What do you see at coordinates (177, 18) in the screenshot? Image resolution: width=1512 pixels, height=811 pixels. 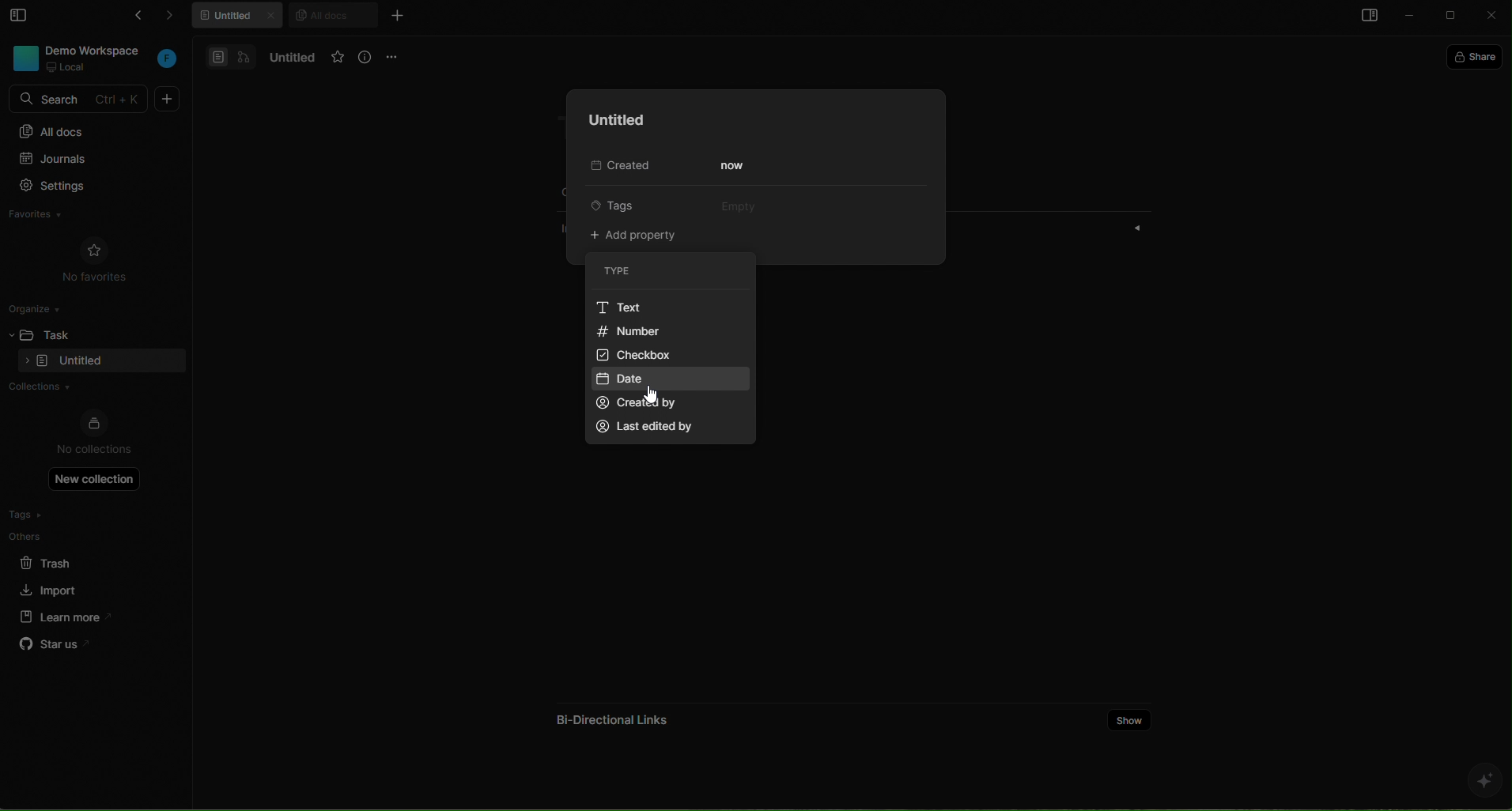 I see `forward` at bounding box center [177, 18].